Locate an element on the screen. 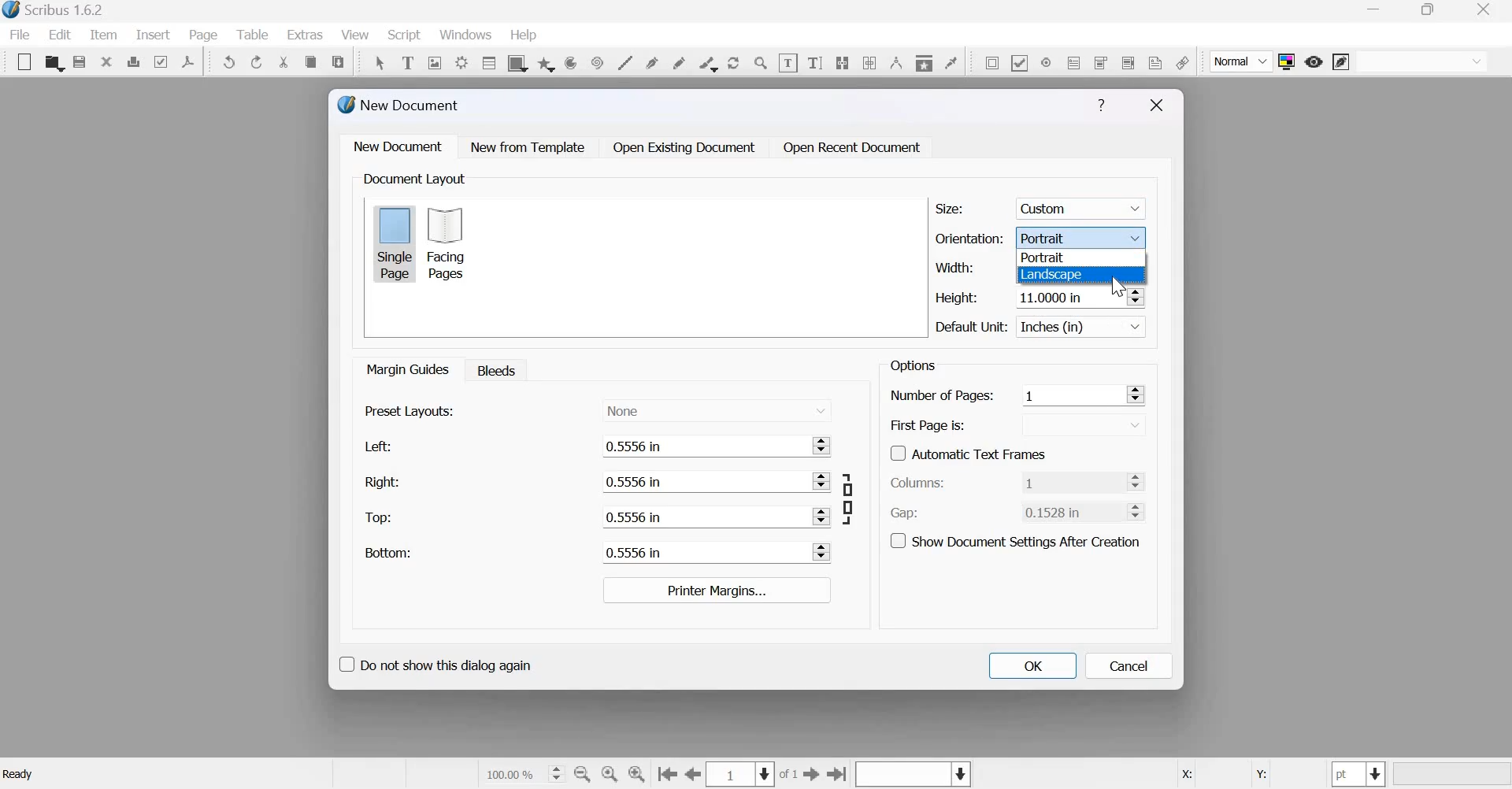 The width and height of the screenshot is (1512, 789). preview mode is located at coordinates (1314, 61).